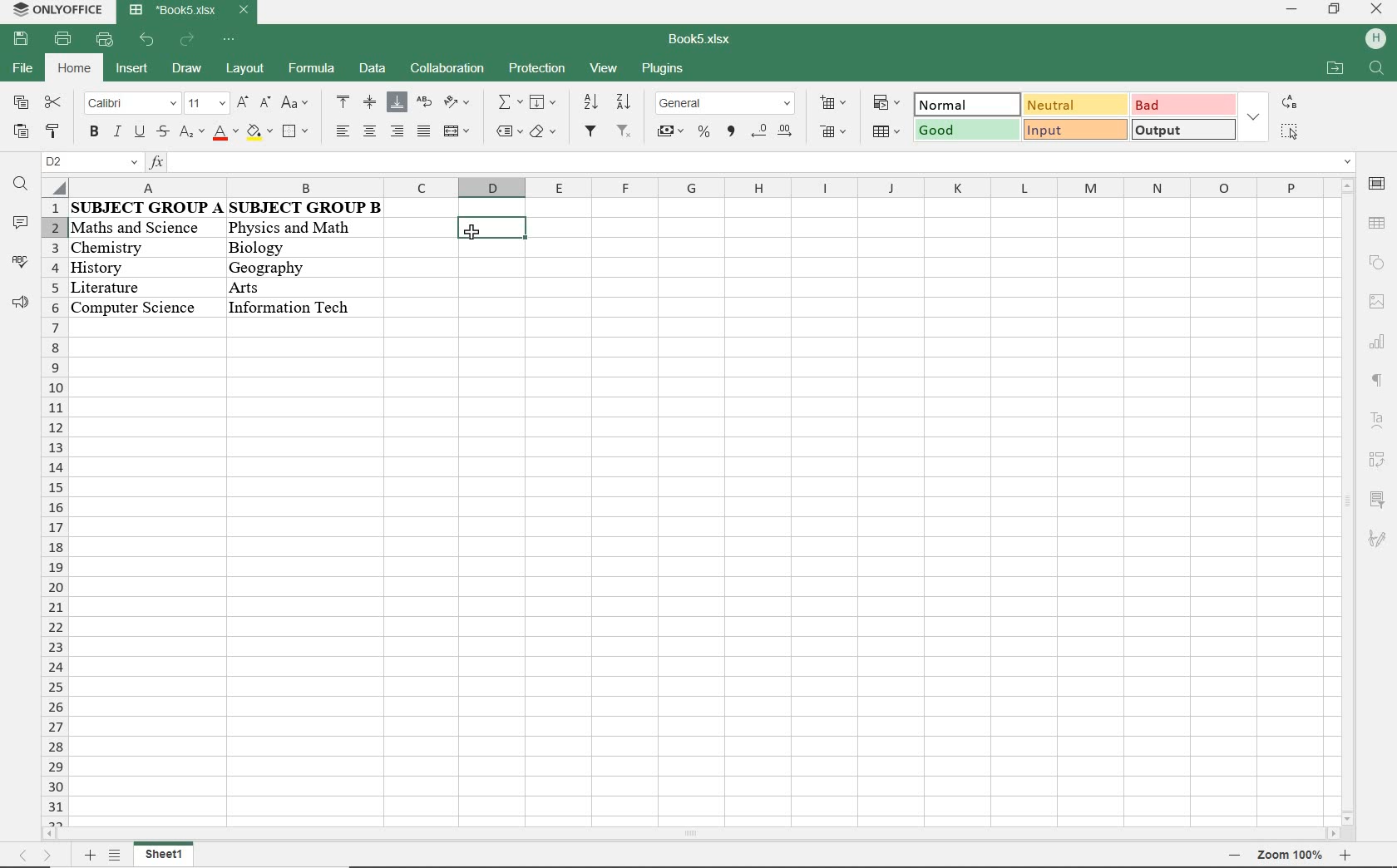 The width and height of the screenshot is (1397, 868). What do you see at coordinates (1374, 39) in the screenshot?
I see `hp` at bounding box center [1374, 39].